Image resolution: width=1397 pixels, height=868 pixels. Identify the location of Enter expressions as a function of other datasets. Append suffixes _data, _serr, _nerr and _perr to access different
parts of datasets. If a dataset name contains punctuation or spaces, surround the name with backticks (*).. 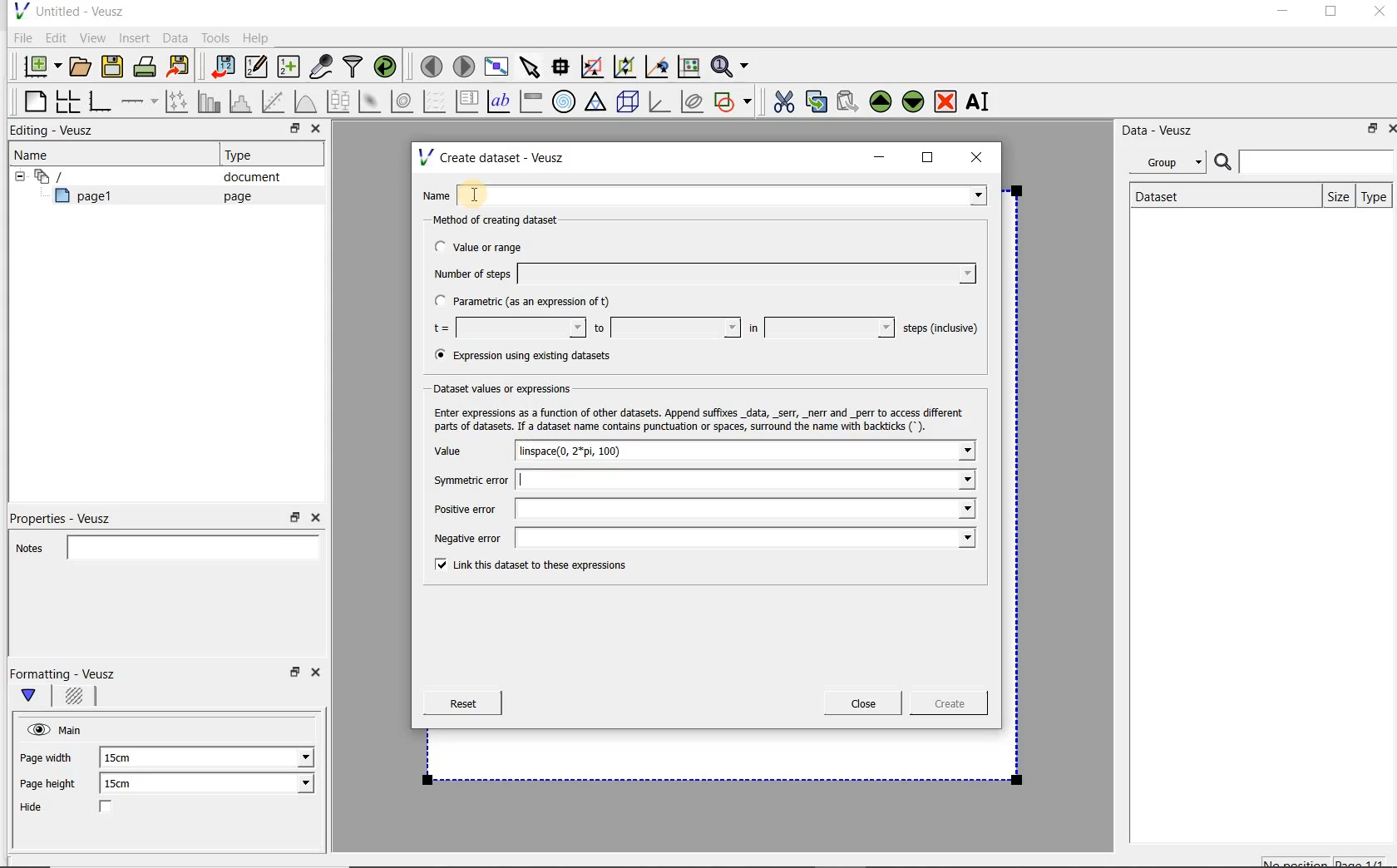
(703, 419).